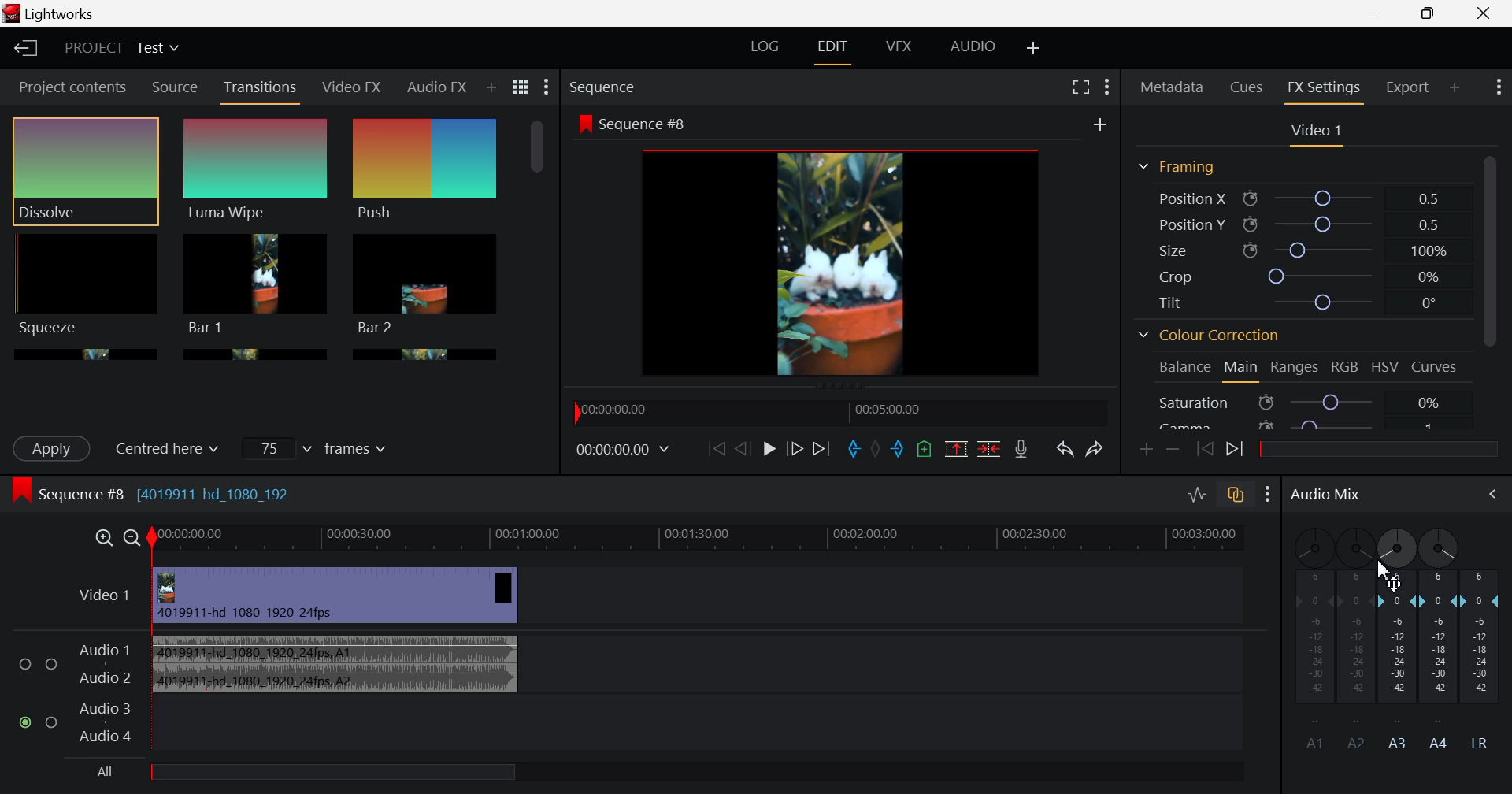 The height and width of the screenshot is (794, 1512). I want to click on Next keyframe, so click(1235, 451).